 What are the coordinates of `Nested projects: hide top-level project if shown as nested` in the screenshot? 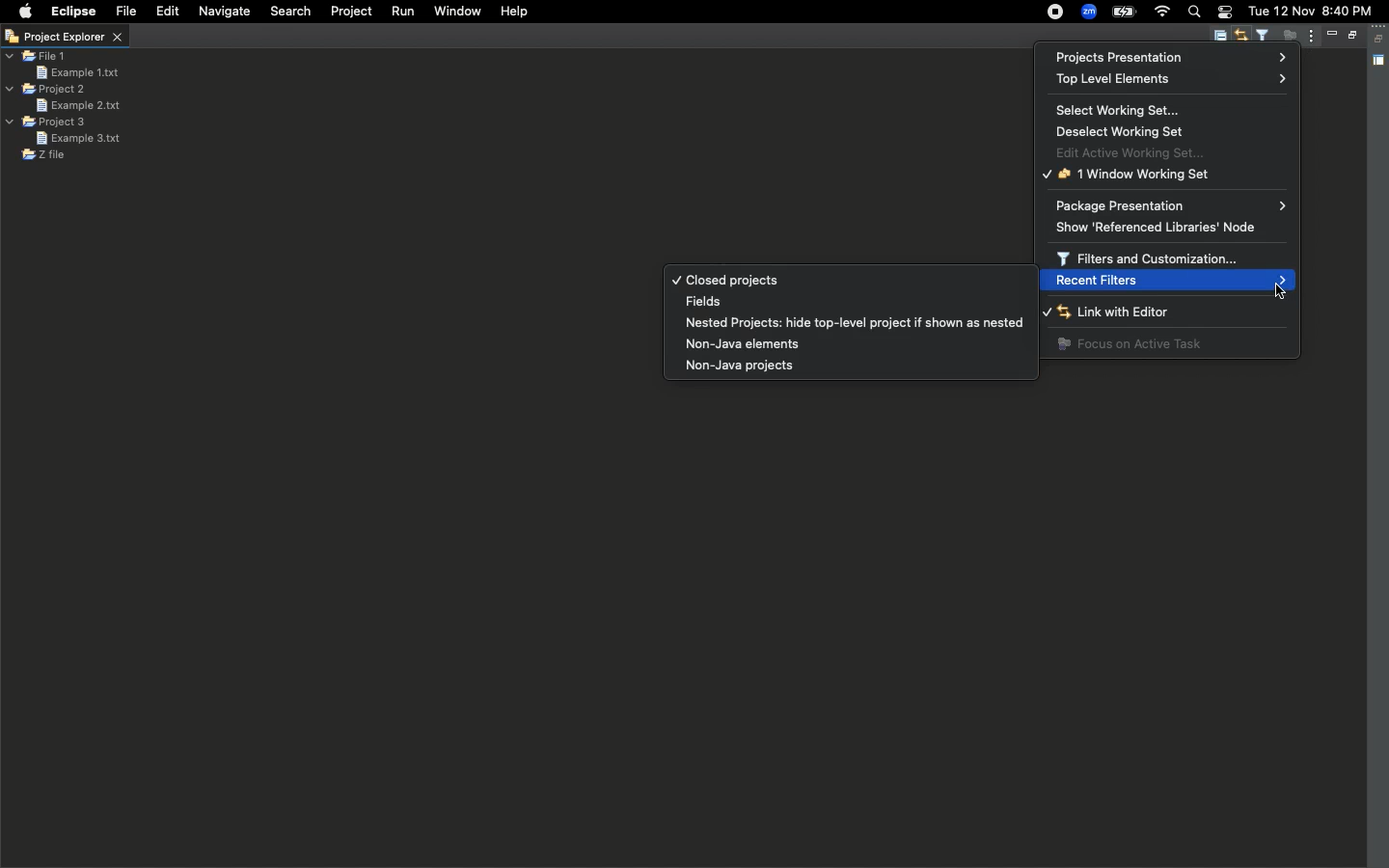 It's located at (861, 324).